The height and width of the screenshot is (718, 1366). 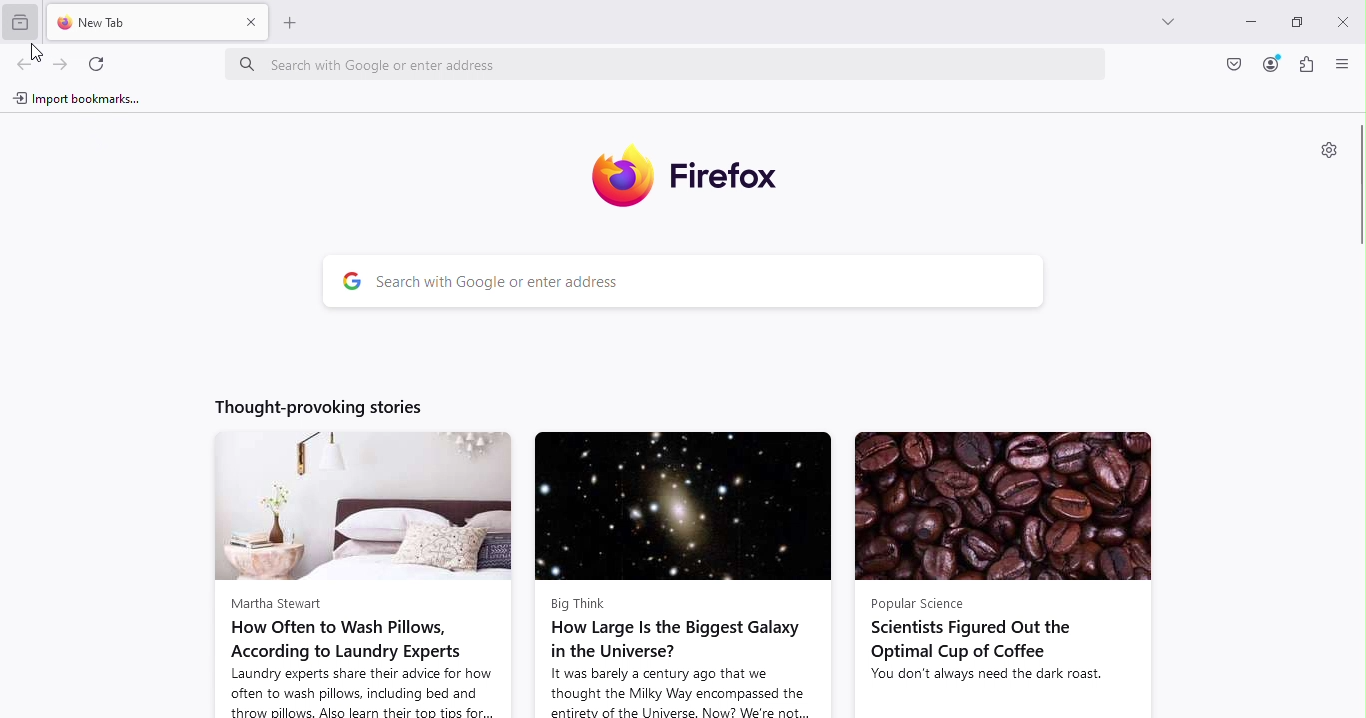 What do you see at coordinates (1248, 23) in the screenshot?
I see `Minimize` at bounding box center [1248, 23].